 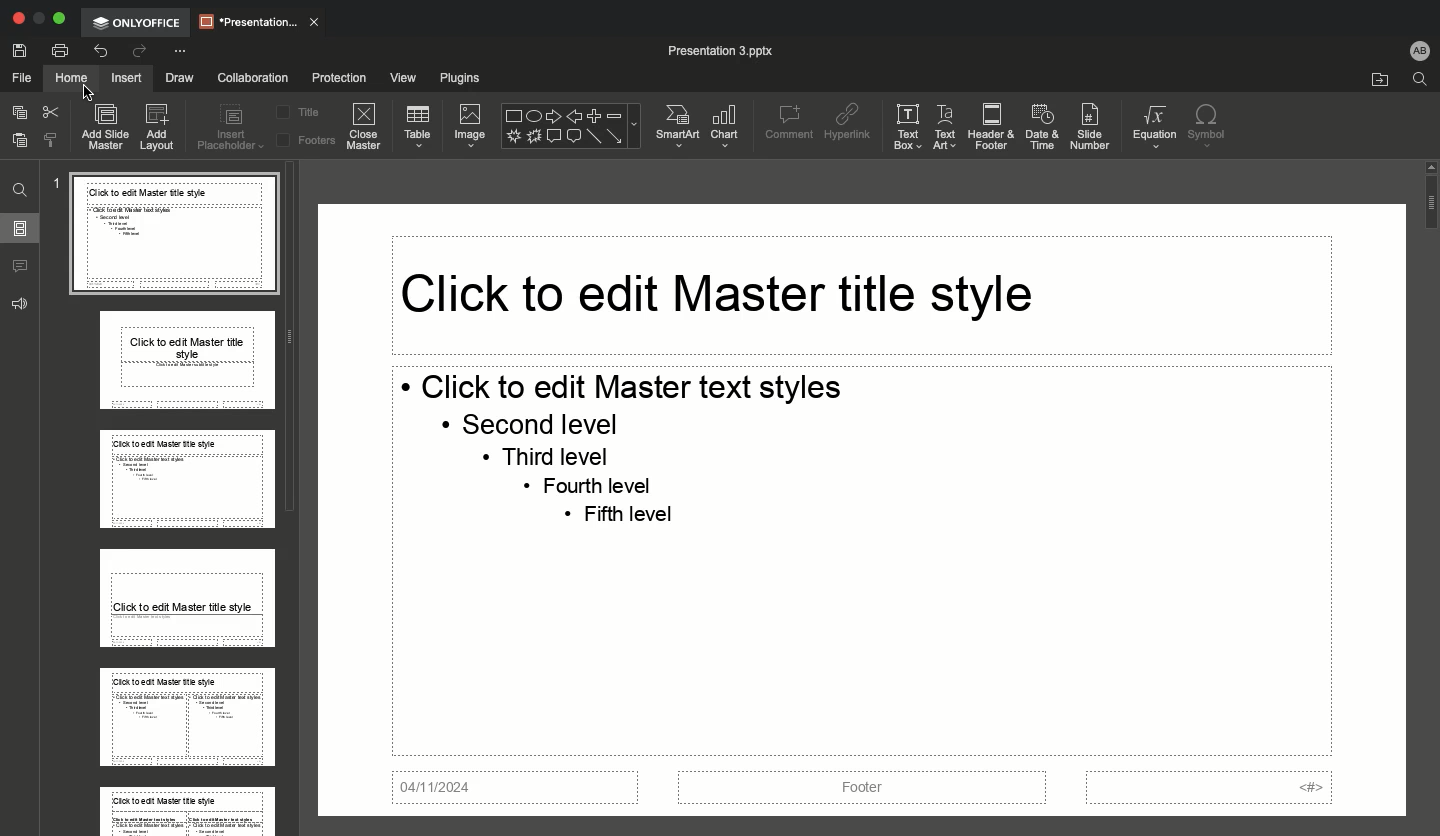 What do you see at coordinates (617, 113) in the screenshot?
I see `Minus` at bounding box center [617, 113].